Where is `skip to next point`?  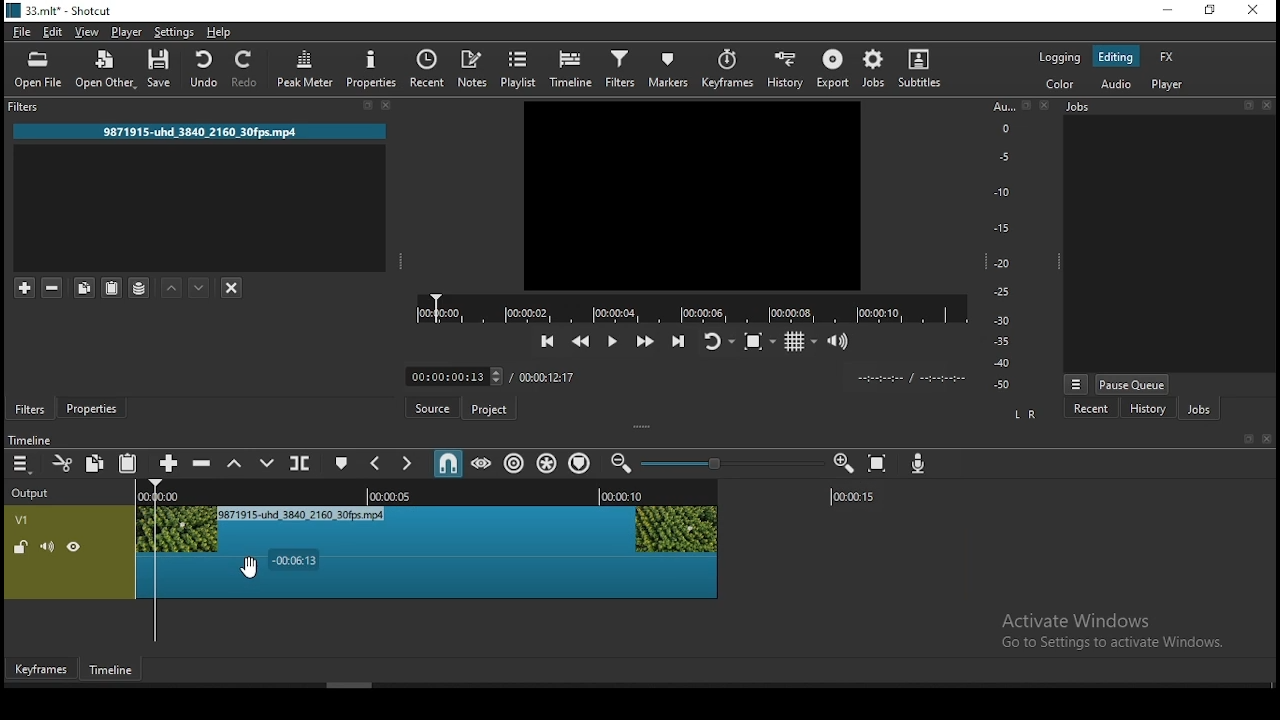 skip to next point is located at coordinates (678, 339).